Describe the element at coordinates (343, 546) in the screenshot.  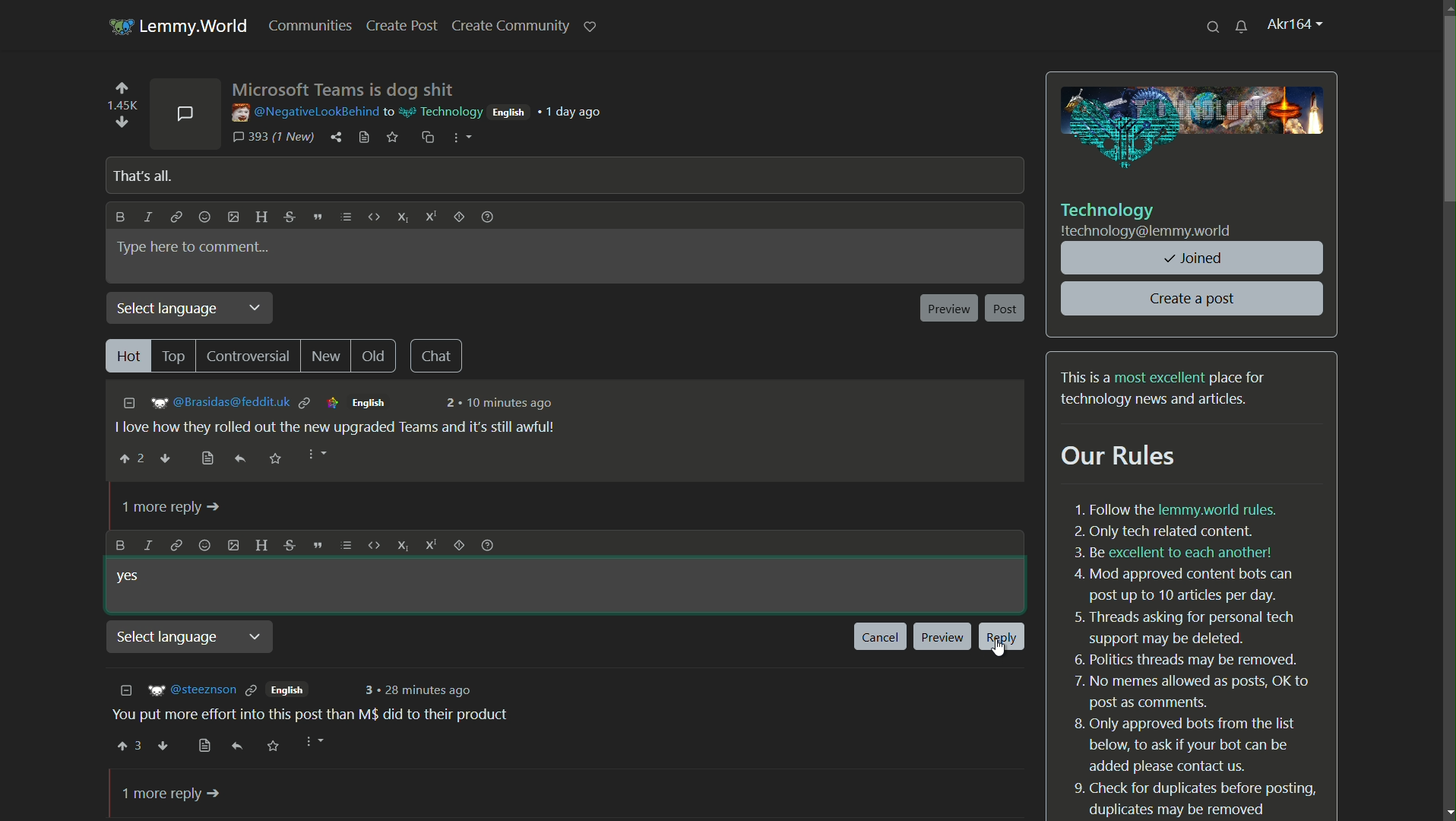
I see `list` at that location.